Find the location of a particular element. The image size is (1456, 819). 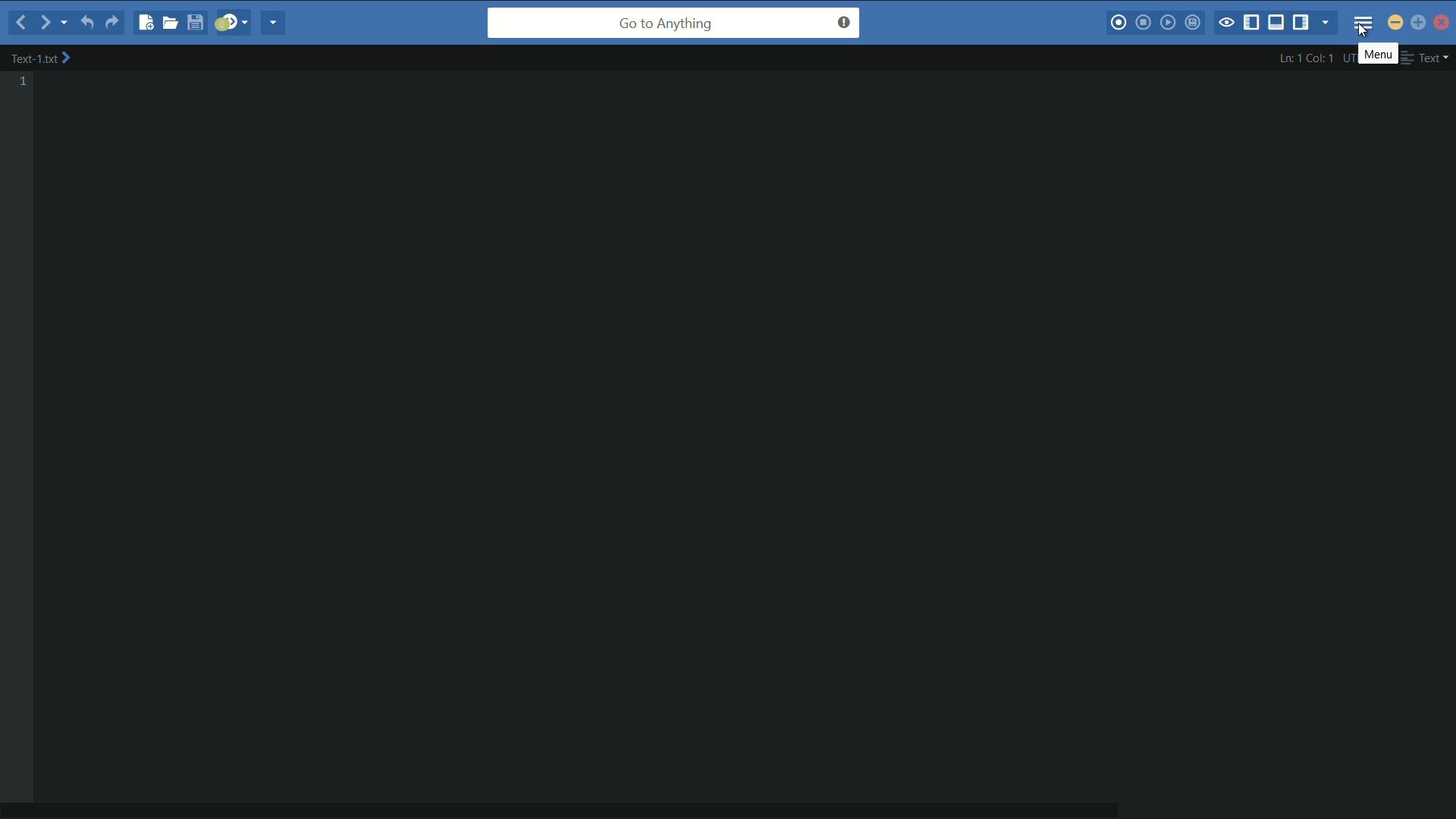

redo is located at coordinates (111, 22).